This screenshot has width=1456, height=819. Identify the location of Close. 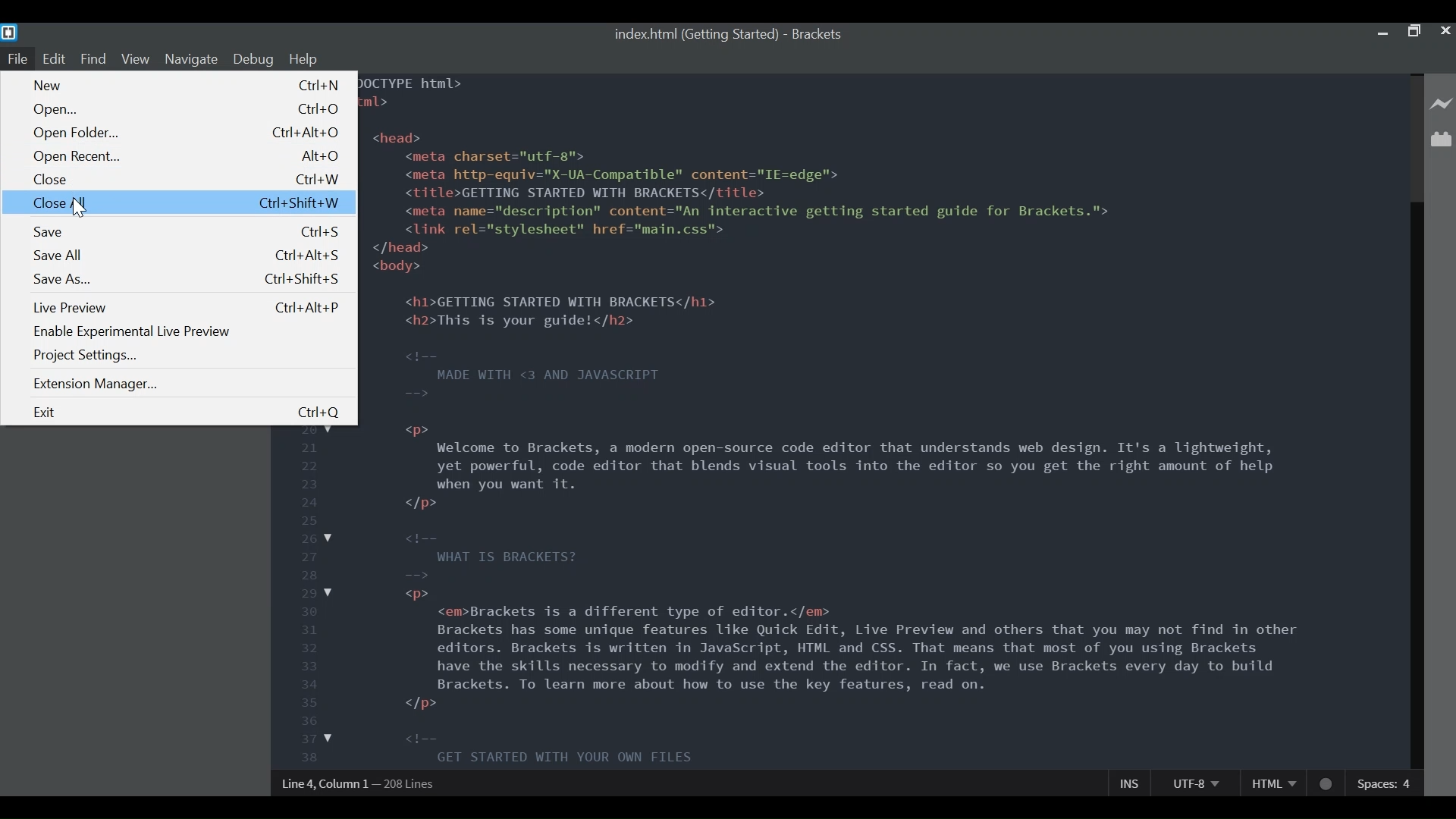
(1444, 31).